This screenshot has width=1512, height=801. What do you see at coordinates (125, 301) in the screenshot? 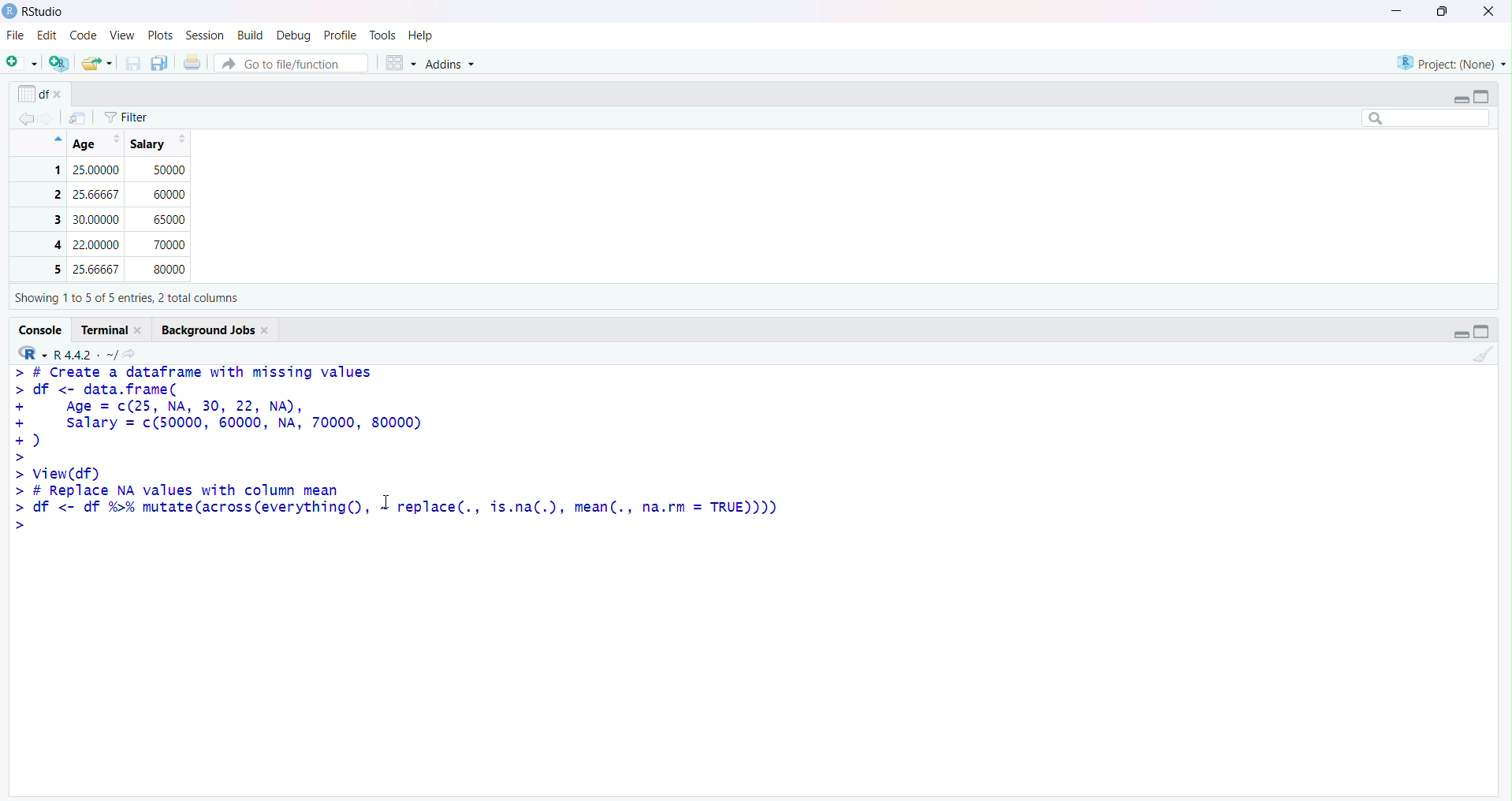
I see `Showing 110 5 of 5 entries, 2 total columns` at bounding box center [125, 301].